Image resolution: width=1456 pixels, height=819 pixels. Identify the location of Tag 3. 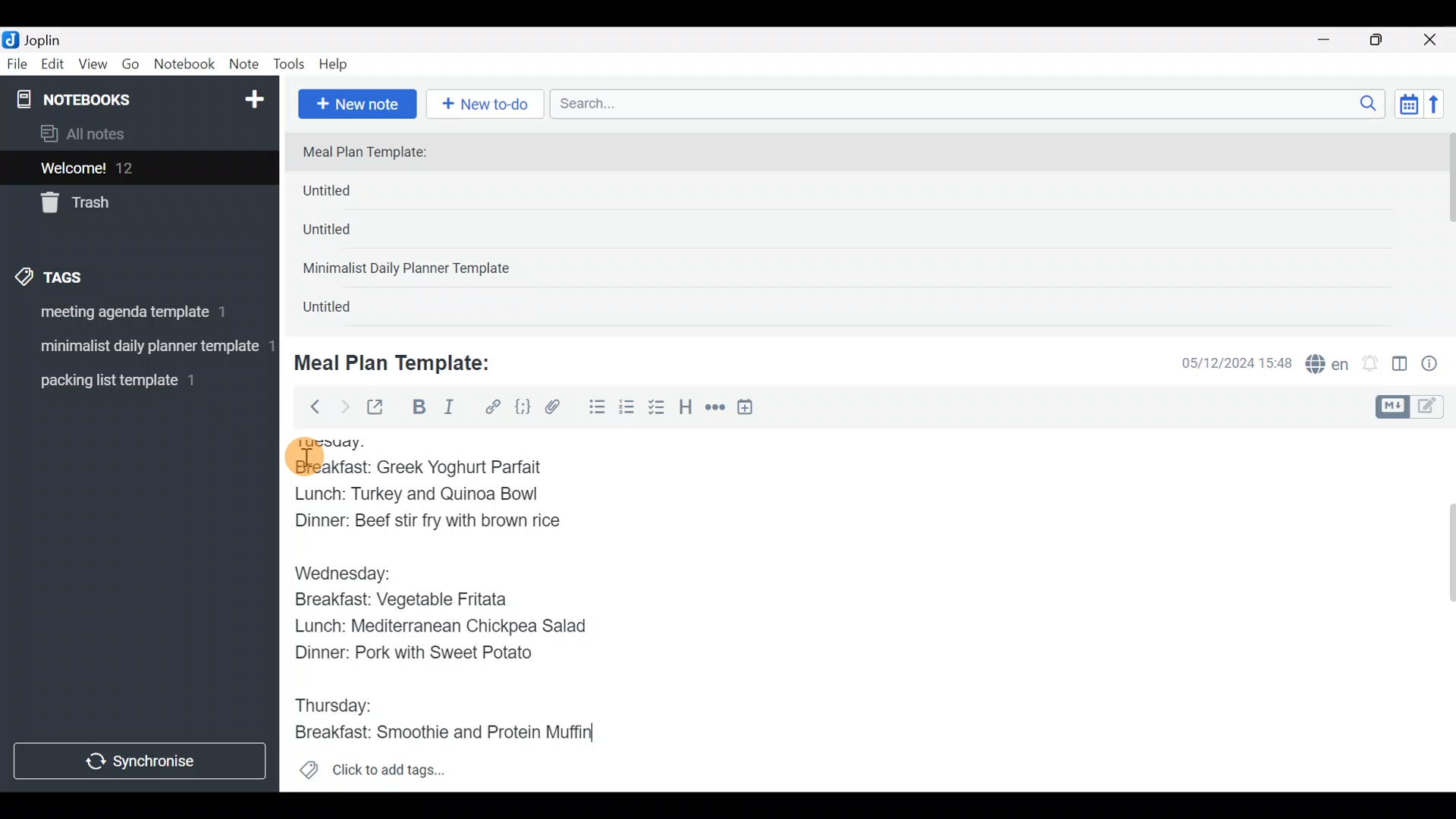
(134, 380).